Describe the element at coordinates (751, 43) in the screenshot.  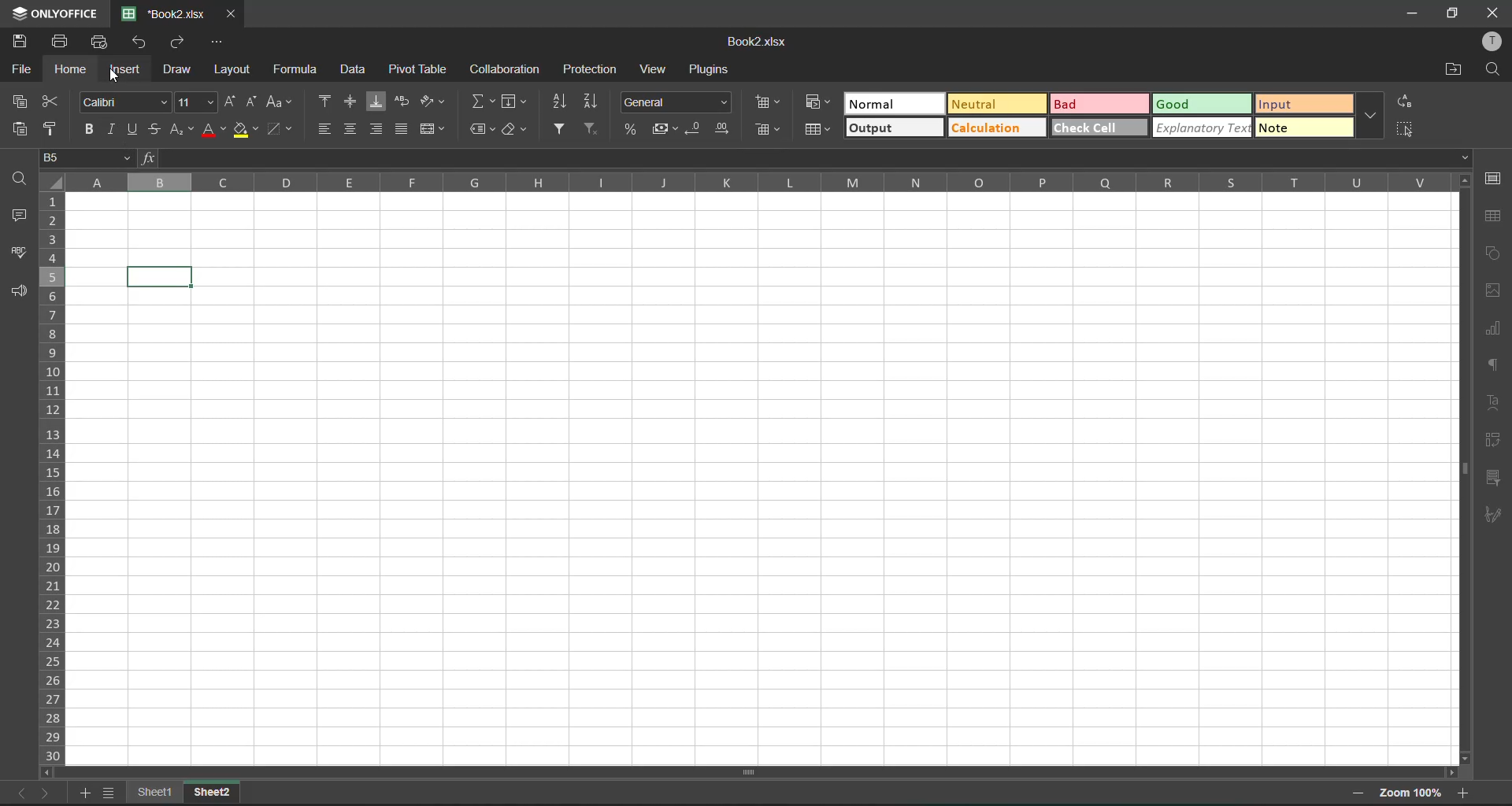
I see `Book2.xlsx` at that location.